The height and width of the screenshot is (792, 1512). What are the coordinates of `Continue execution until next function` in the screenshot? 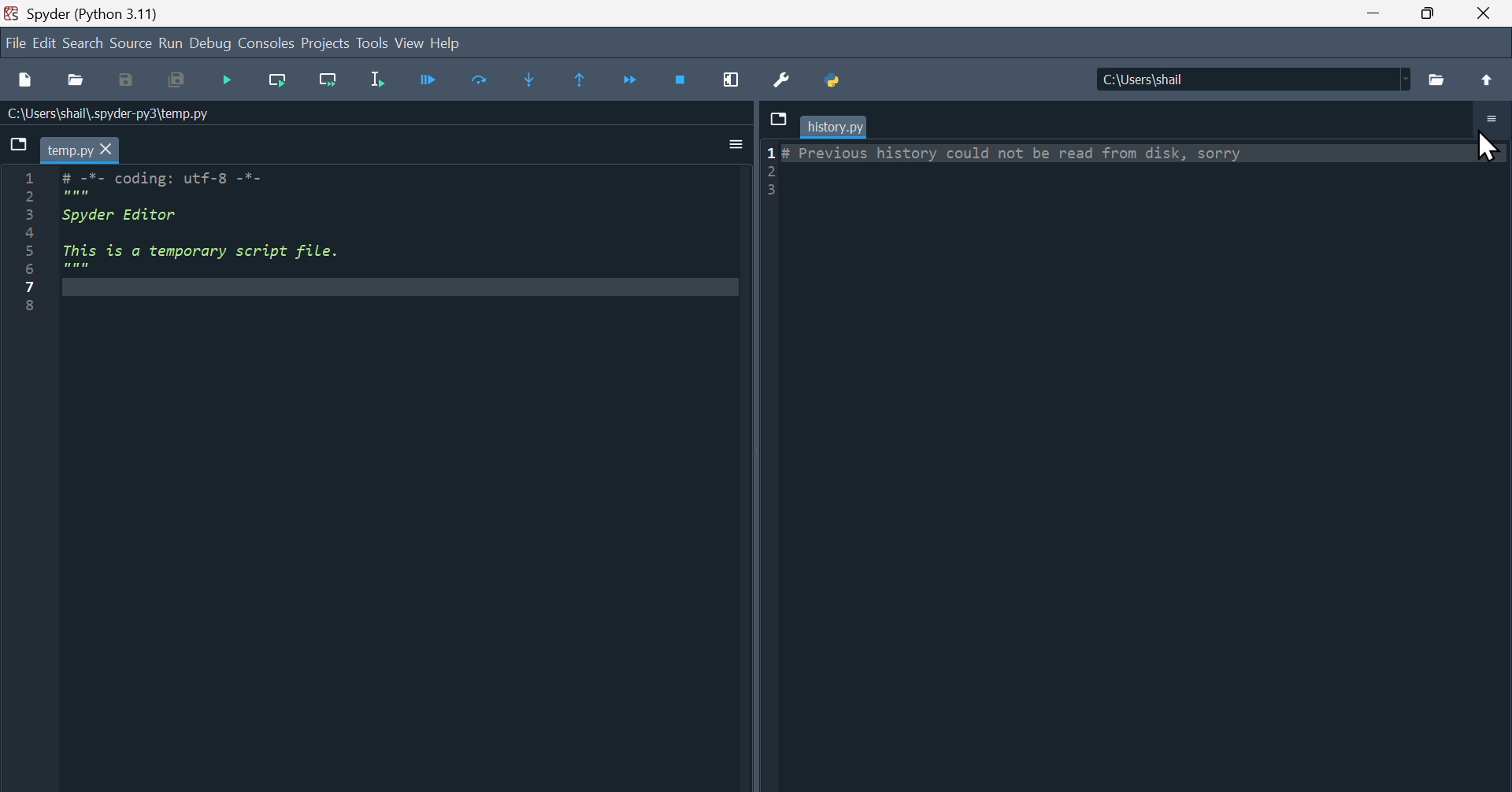 It's located at (636, 81).